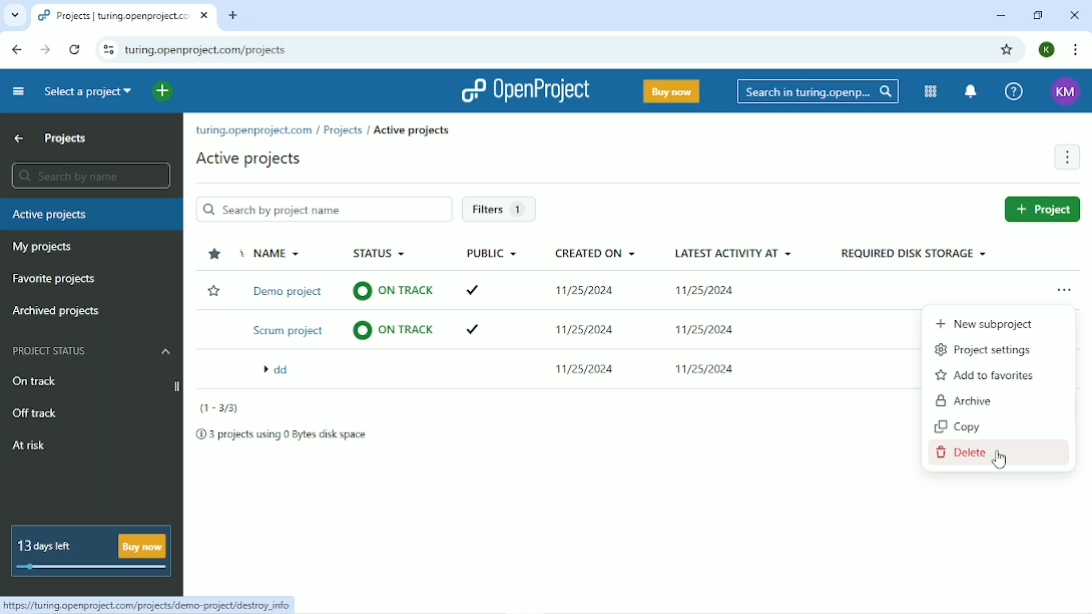 This screenshot has width=1092, height=614. Describe the element at coordinates (480, 291) in the screenshot. I see `ticked` at that location.